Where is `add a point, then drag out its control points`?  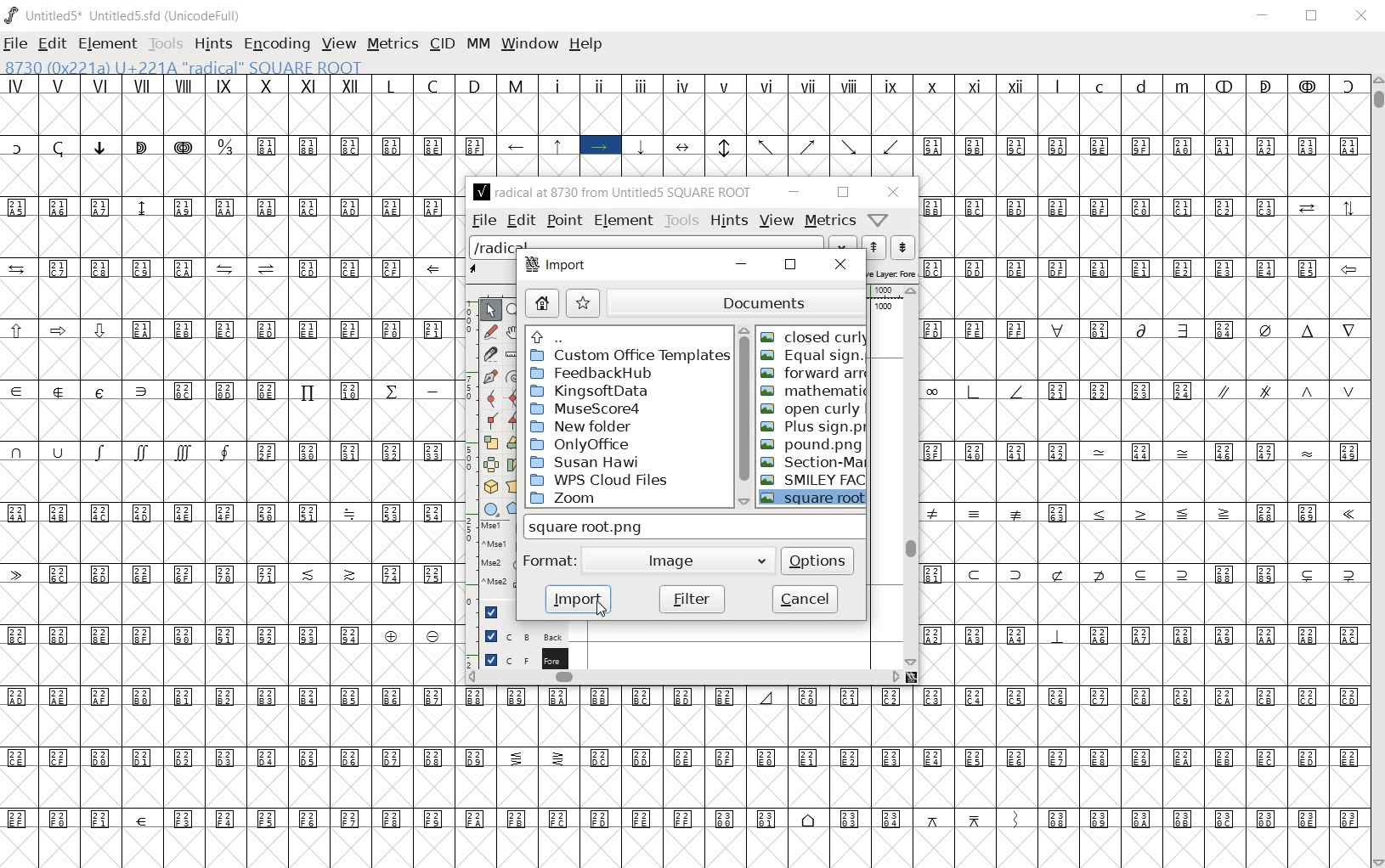 add a point, then drag out its control points is located at coordinates (489, 376).